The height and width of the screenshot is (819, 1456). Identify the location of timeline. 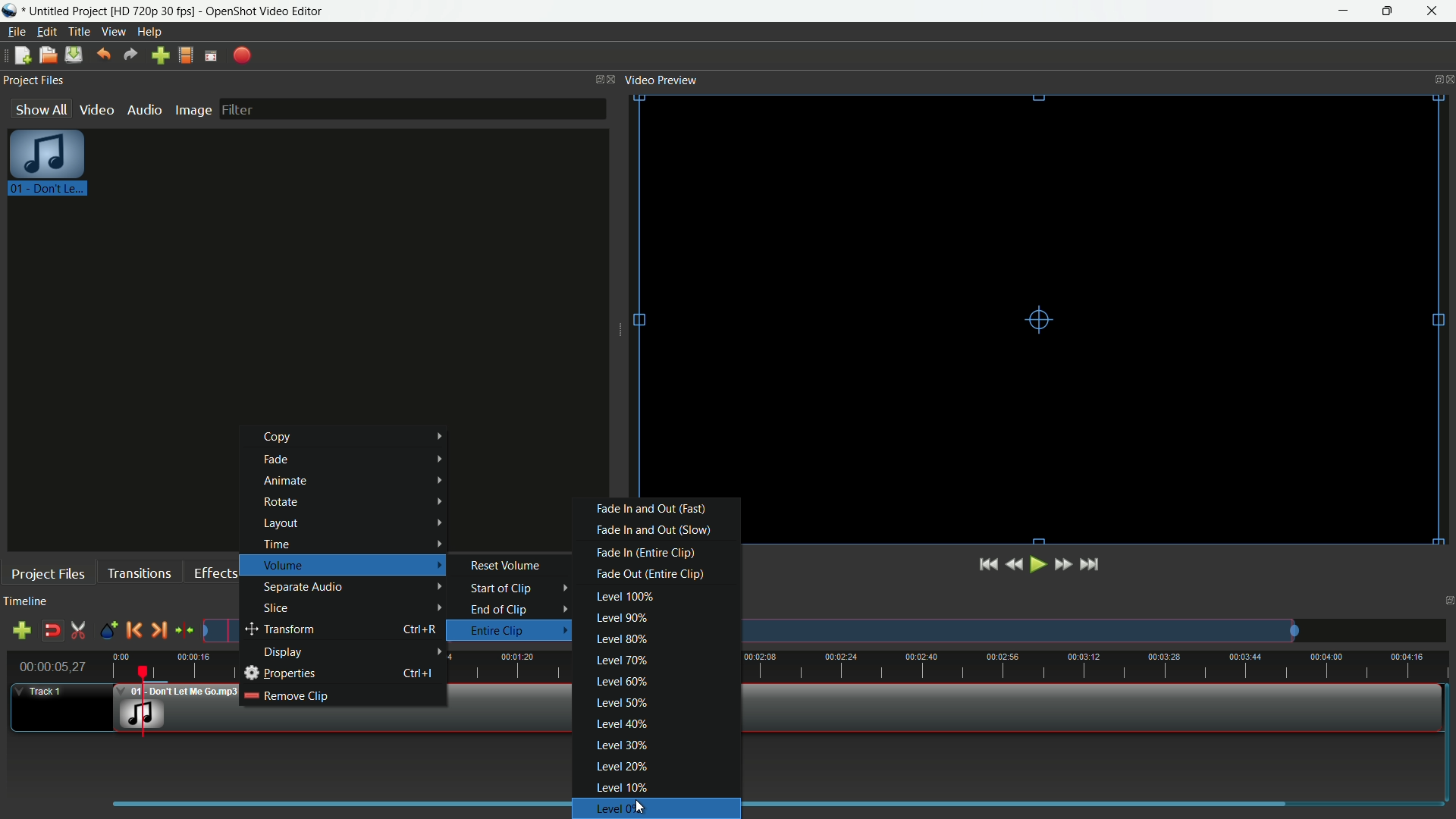
(28, 602).